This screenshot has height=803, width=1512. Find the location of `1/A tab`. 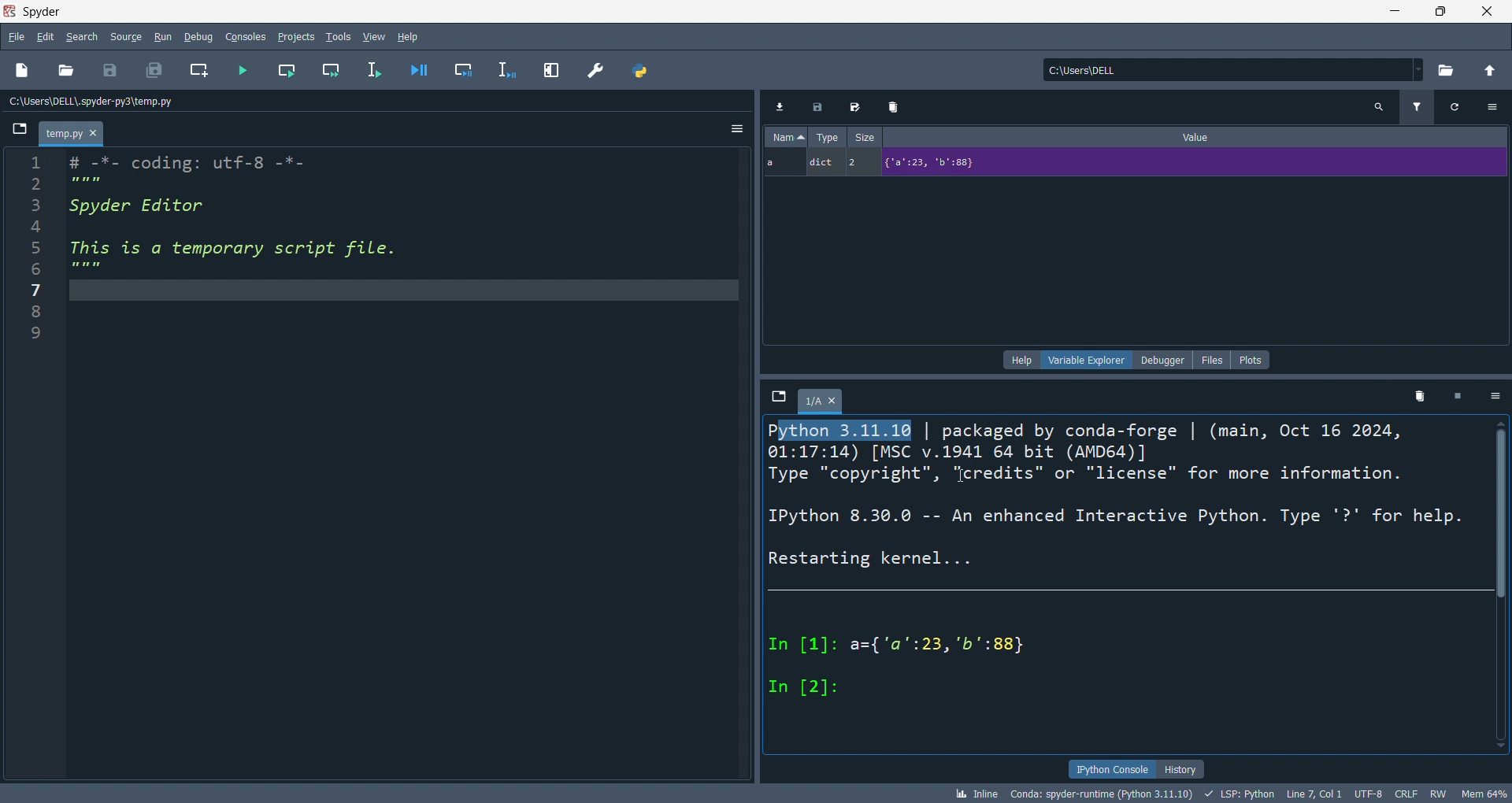

1/A tab is located at coordinates (825, 404).